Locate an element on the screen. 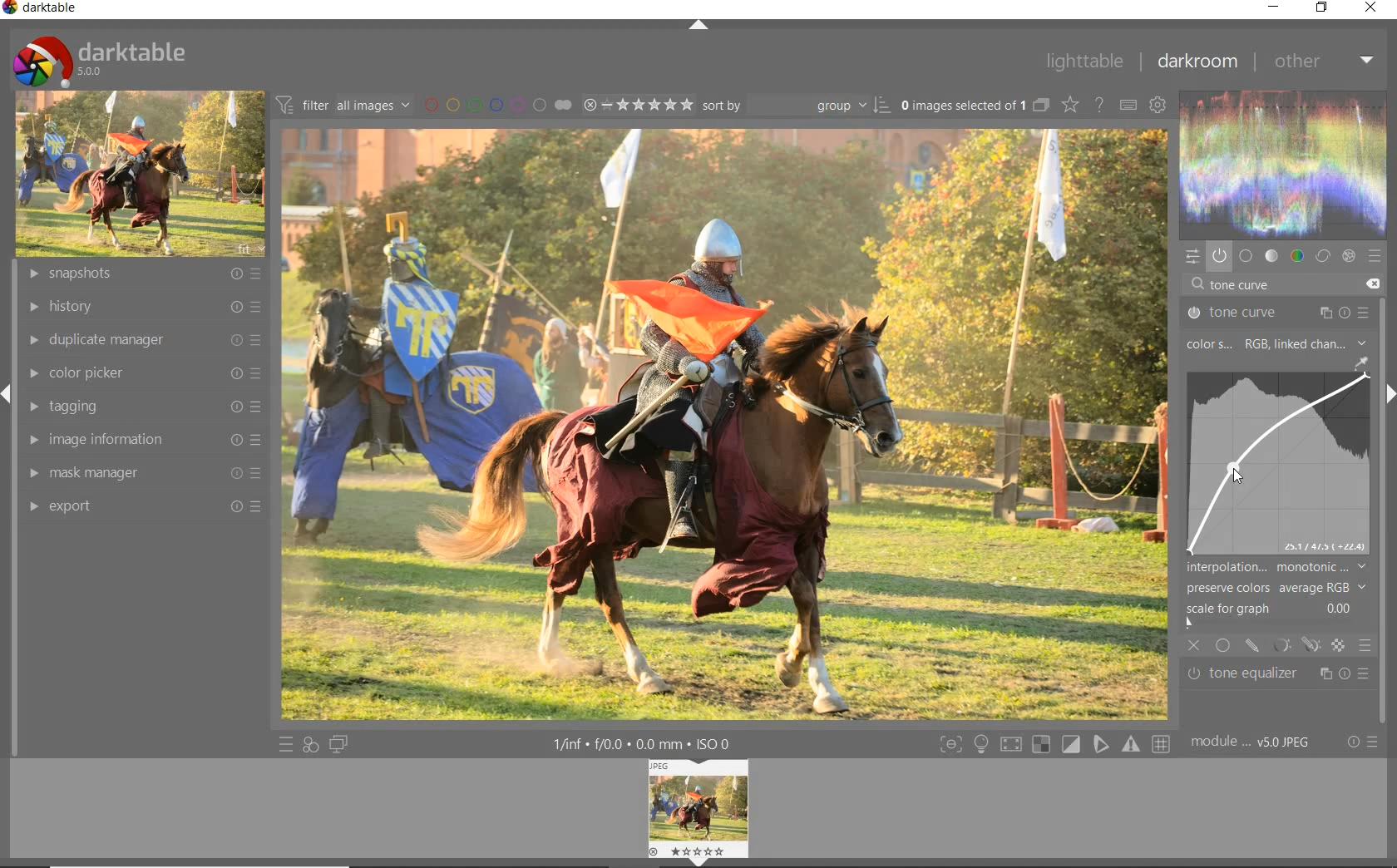 The image size is (1397, 868). minimize is located at coordinates (1276, 7).